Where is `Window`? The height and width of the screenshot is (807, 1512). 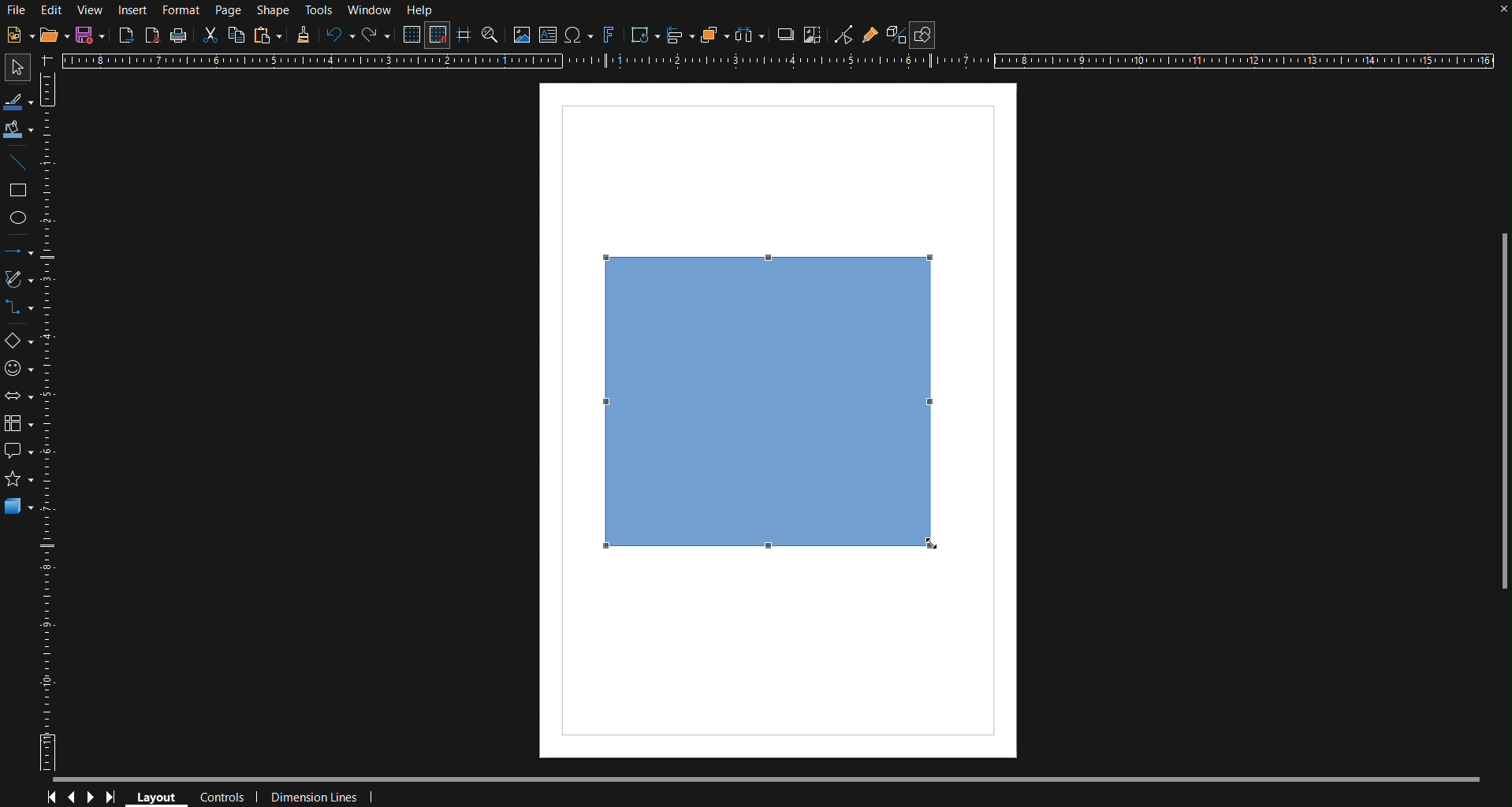
Window is located at coordinates (370, 10).